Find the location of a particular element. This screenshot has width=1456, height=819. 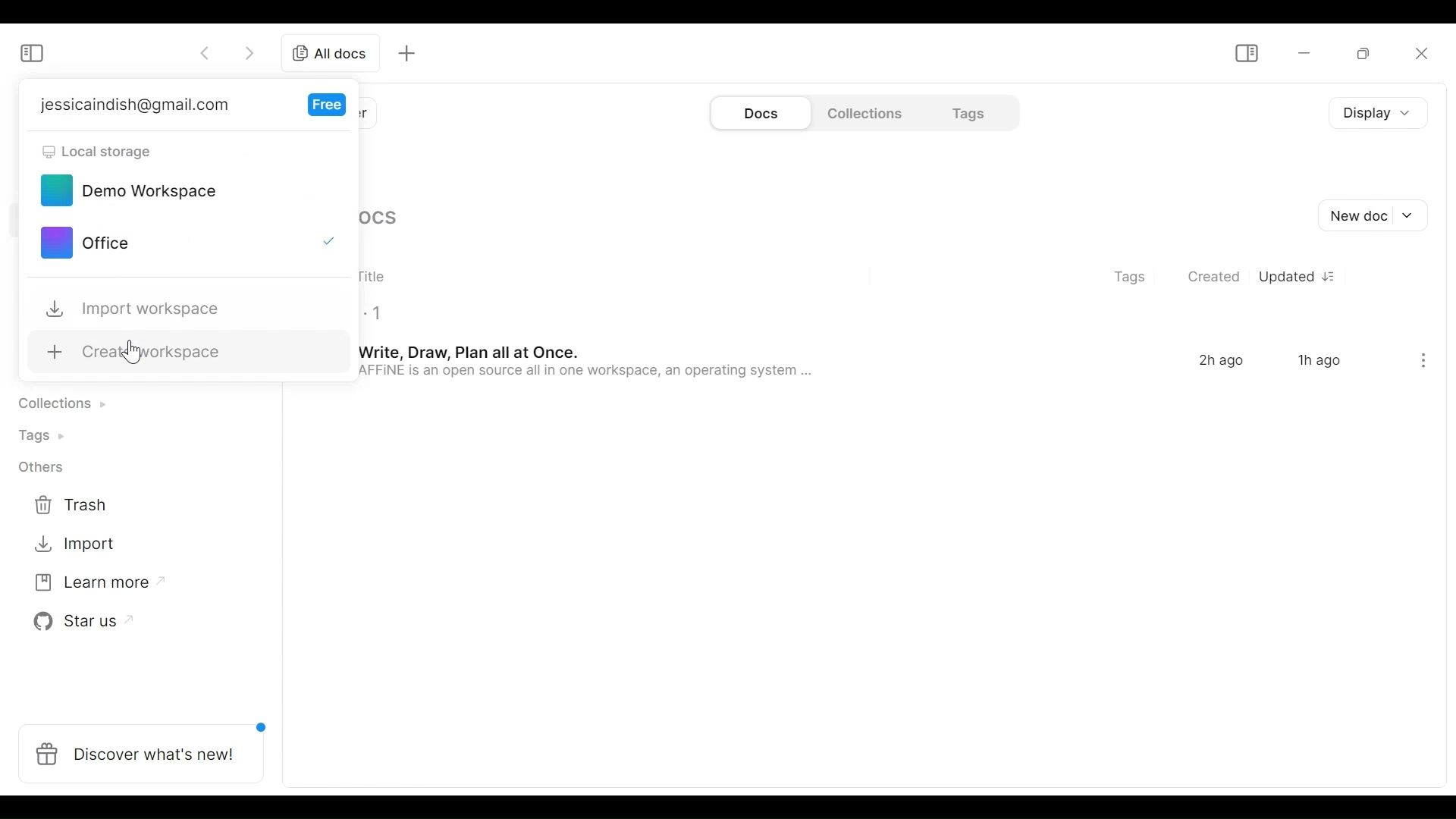

jessicaindish@gmail.com is located at coordinates (133, 104).